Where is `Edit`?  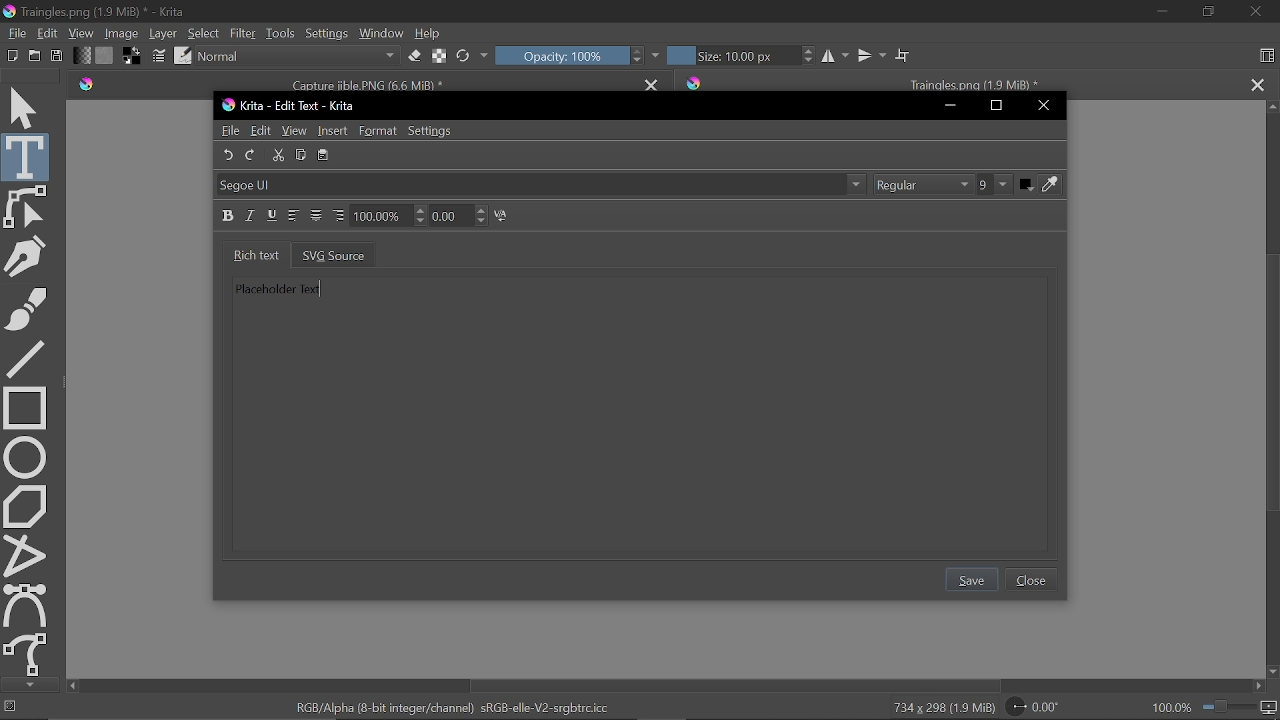 Edit is located at coordinates (262, 130).